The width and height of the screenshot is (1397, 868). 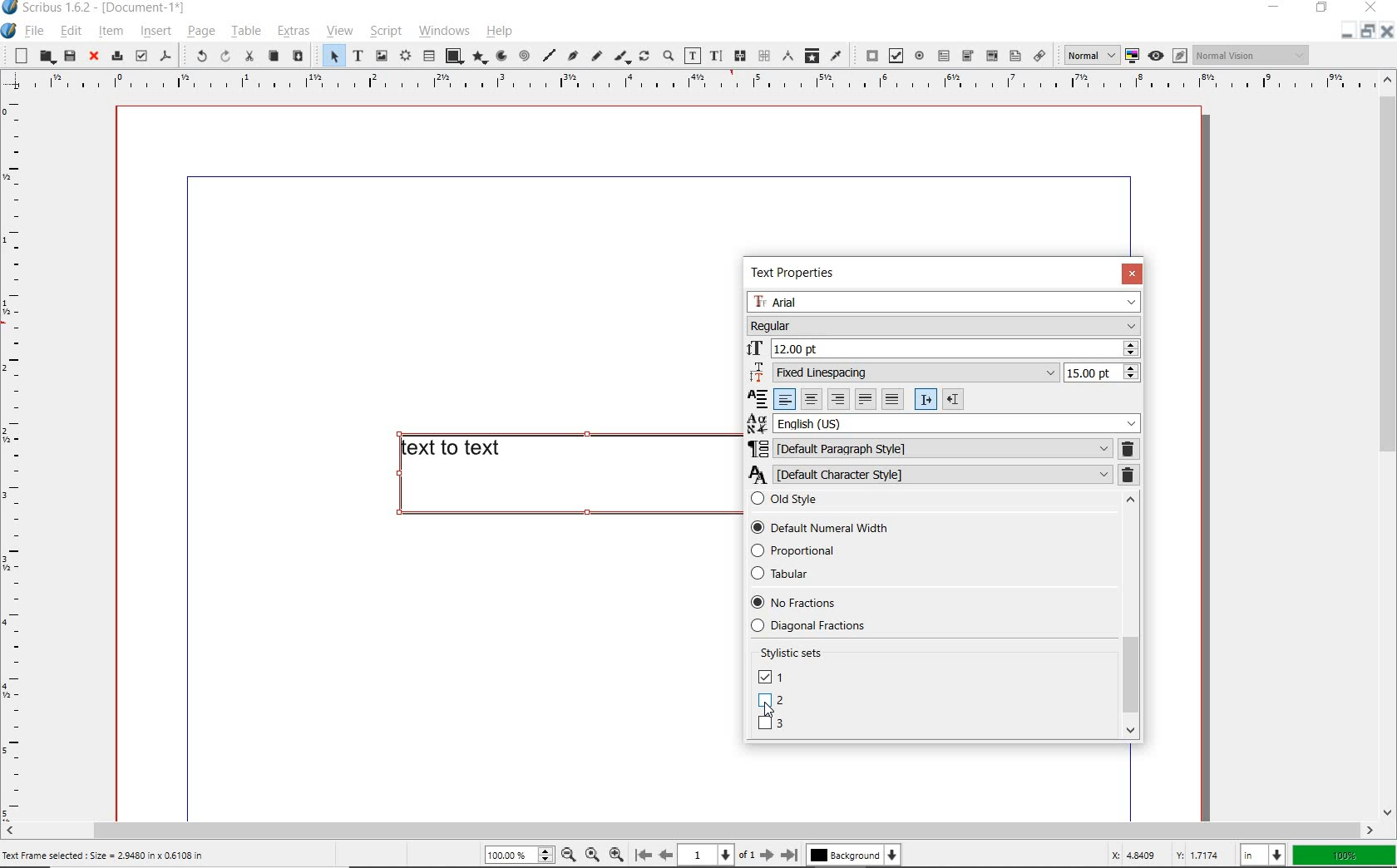 What do you see at coordinates (1371, 7) in the screenshot?
I see `close` at bounding box center [1371, 7].